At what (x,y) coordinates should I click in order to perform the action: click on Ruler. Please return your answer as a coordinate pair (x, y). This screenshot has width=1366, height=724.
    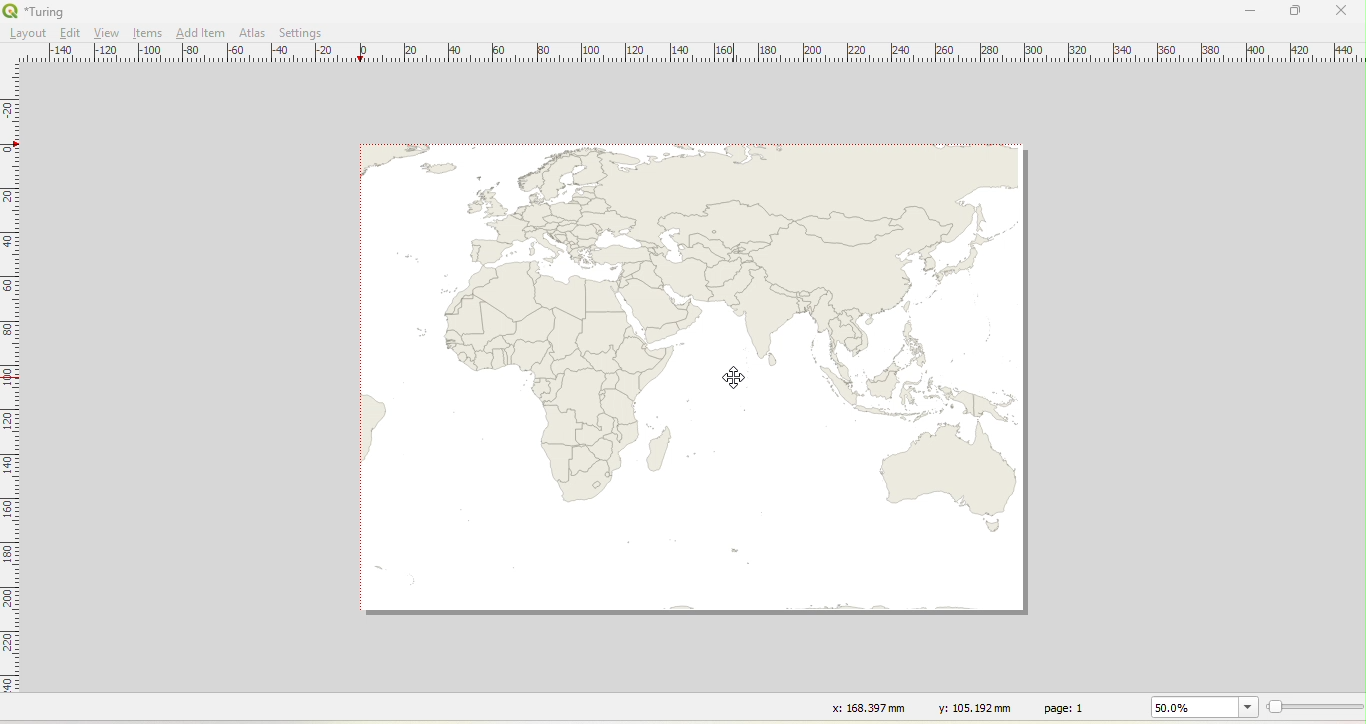
    Looking at the image, I should click on (11, 391).